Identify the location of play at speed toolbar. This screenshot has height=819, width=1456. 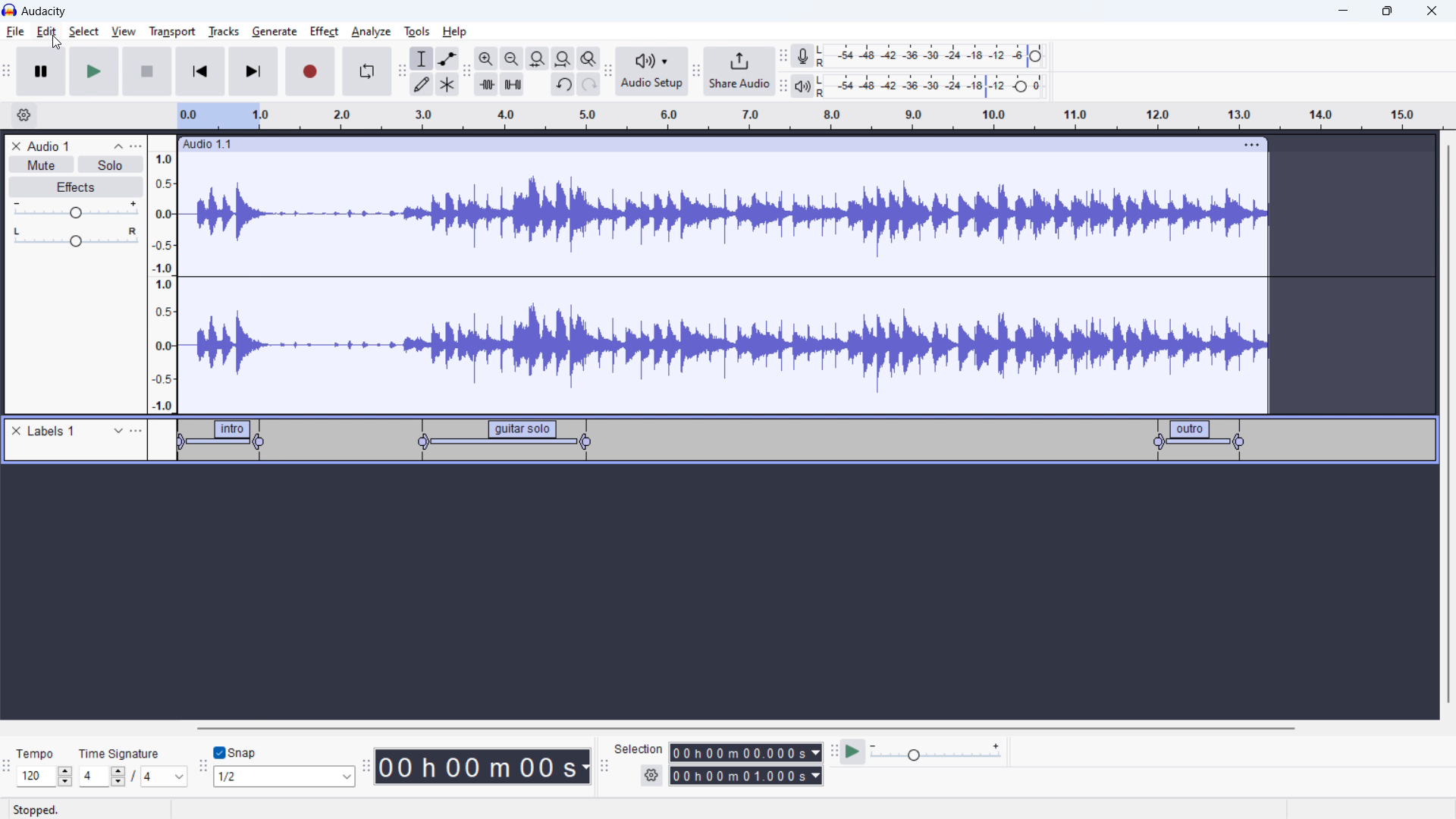
(833, 753).